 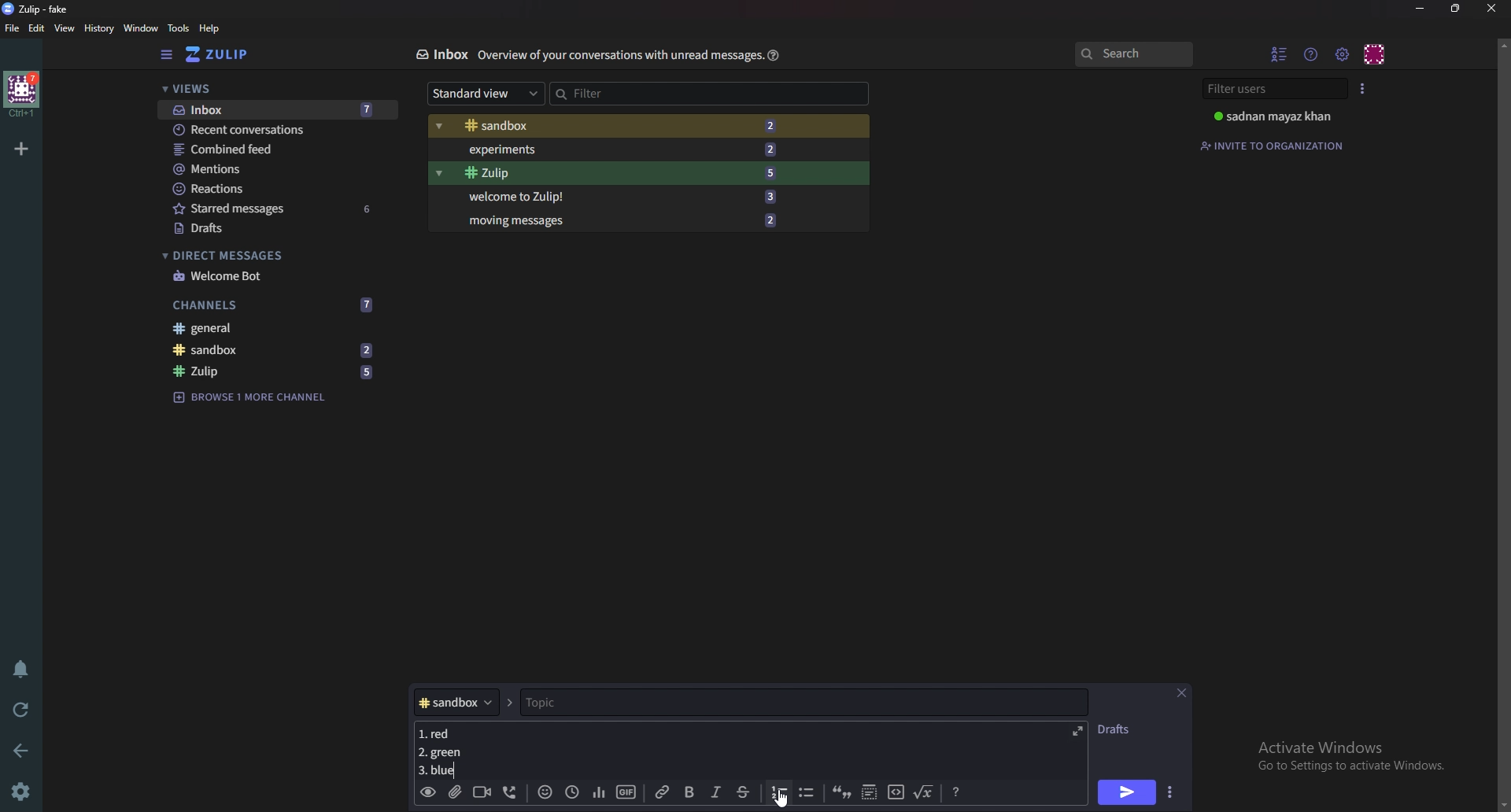 What do you see at coordinates (771, 55) in the screenshot?
I see `Help` at bounding box center [771, 55].